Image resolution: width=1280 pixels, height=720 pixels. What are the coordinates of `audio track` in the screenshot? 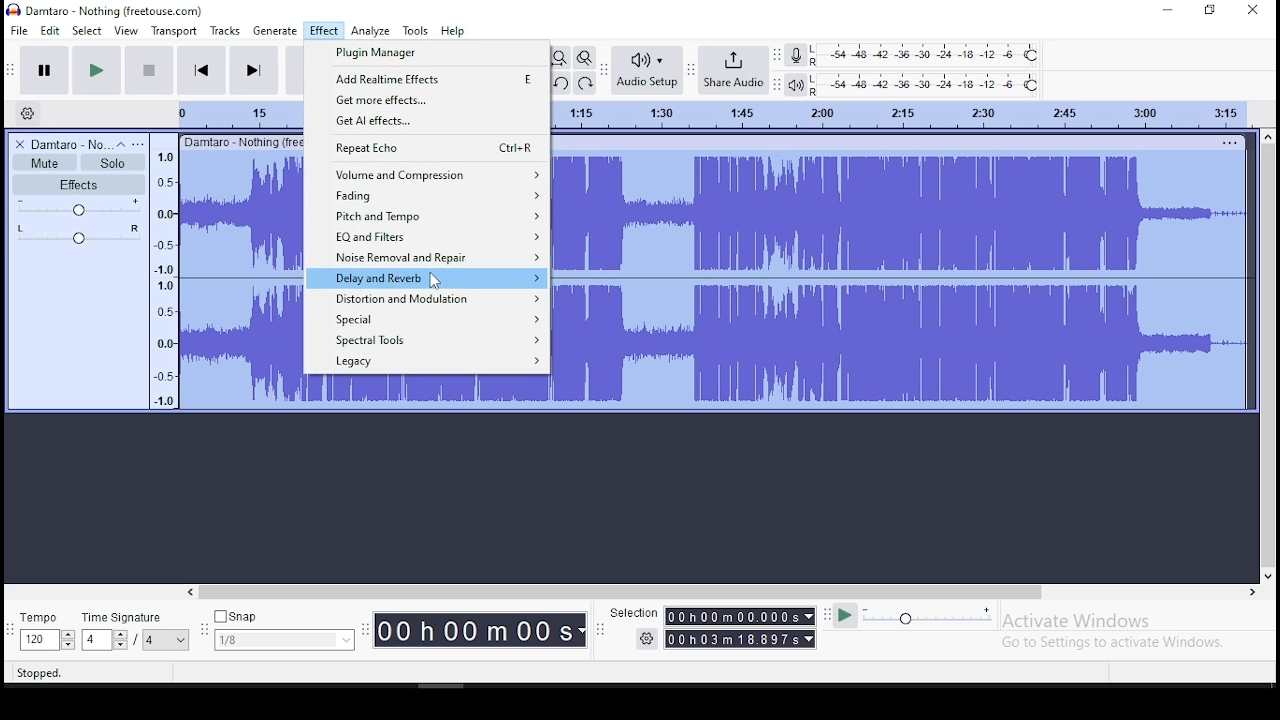 It's located at (901, 213).